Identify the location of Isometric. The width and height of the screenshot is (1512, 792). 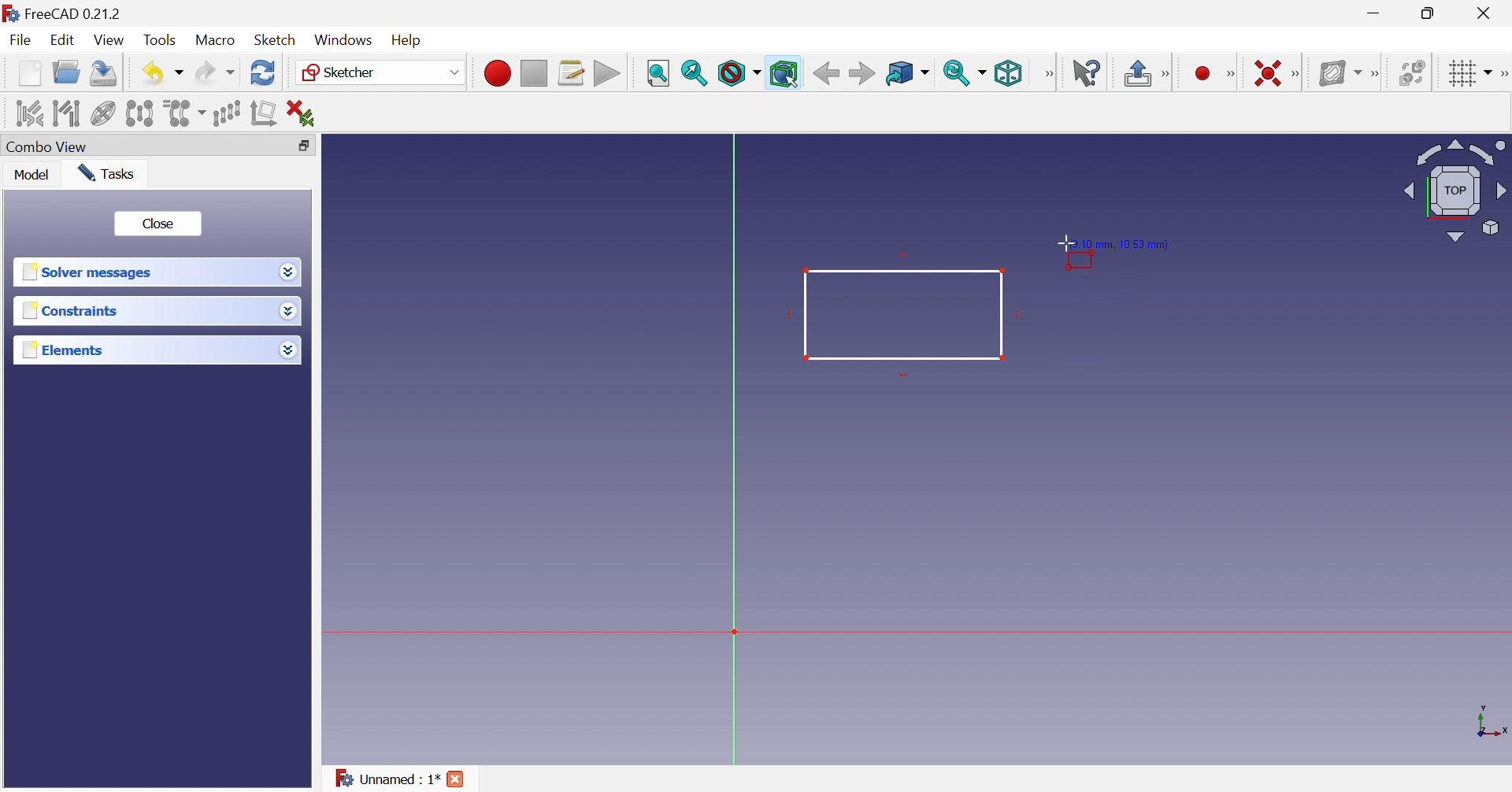
(1011, 72).